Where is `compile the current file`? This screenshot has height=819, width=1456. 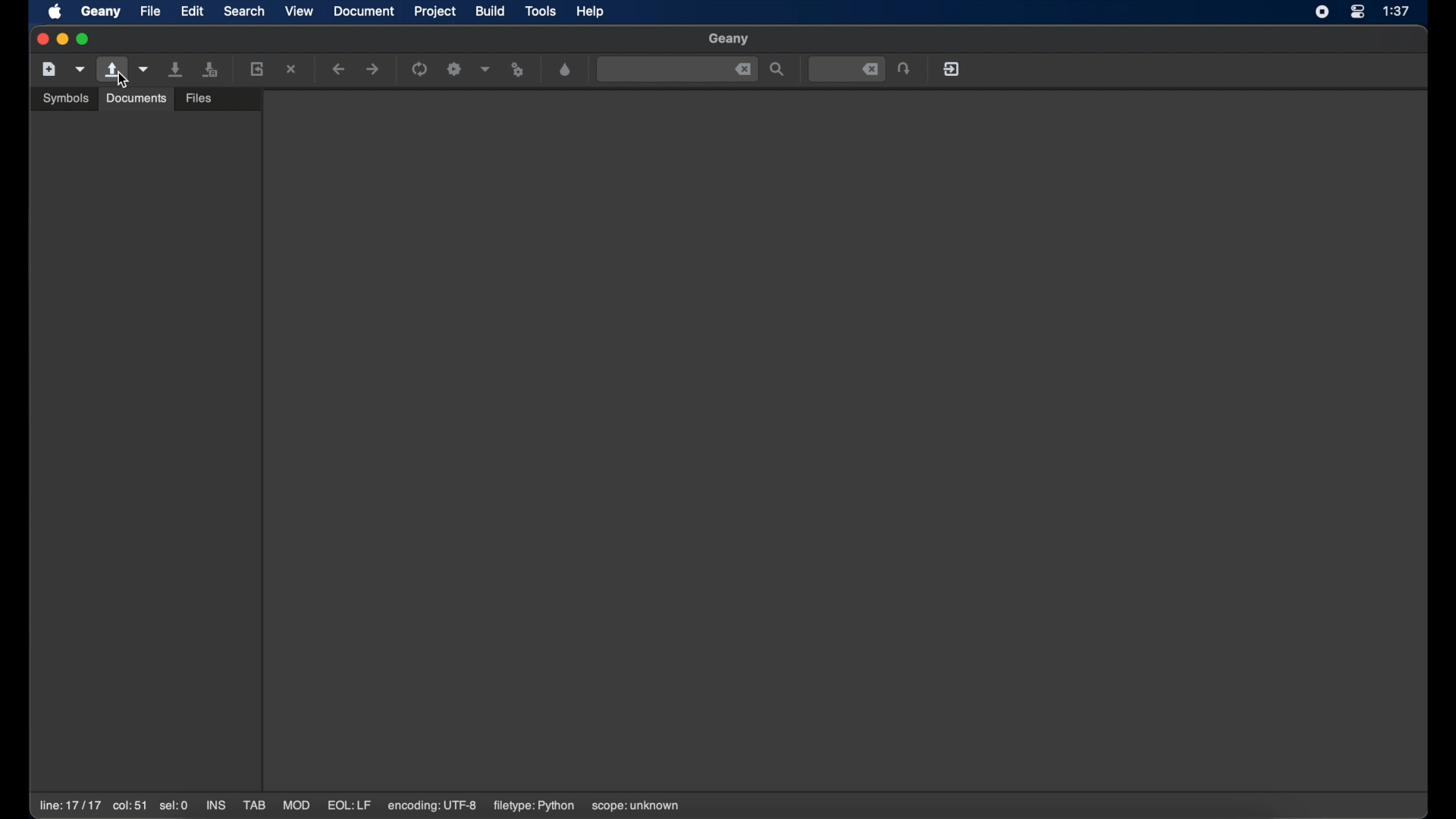
compile the current file is located at coordinates (420, 68).